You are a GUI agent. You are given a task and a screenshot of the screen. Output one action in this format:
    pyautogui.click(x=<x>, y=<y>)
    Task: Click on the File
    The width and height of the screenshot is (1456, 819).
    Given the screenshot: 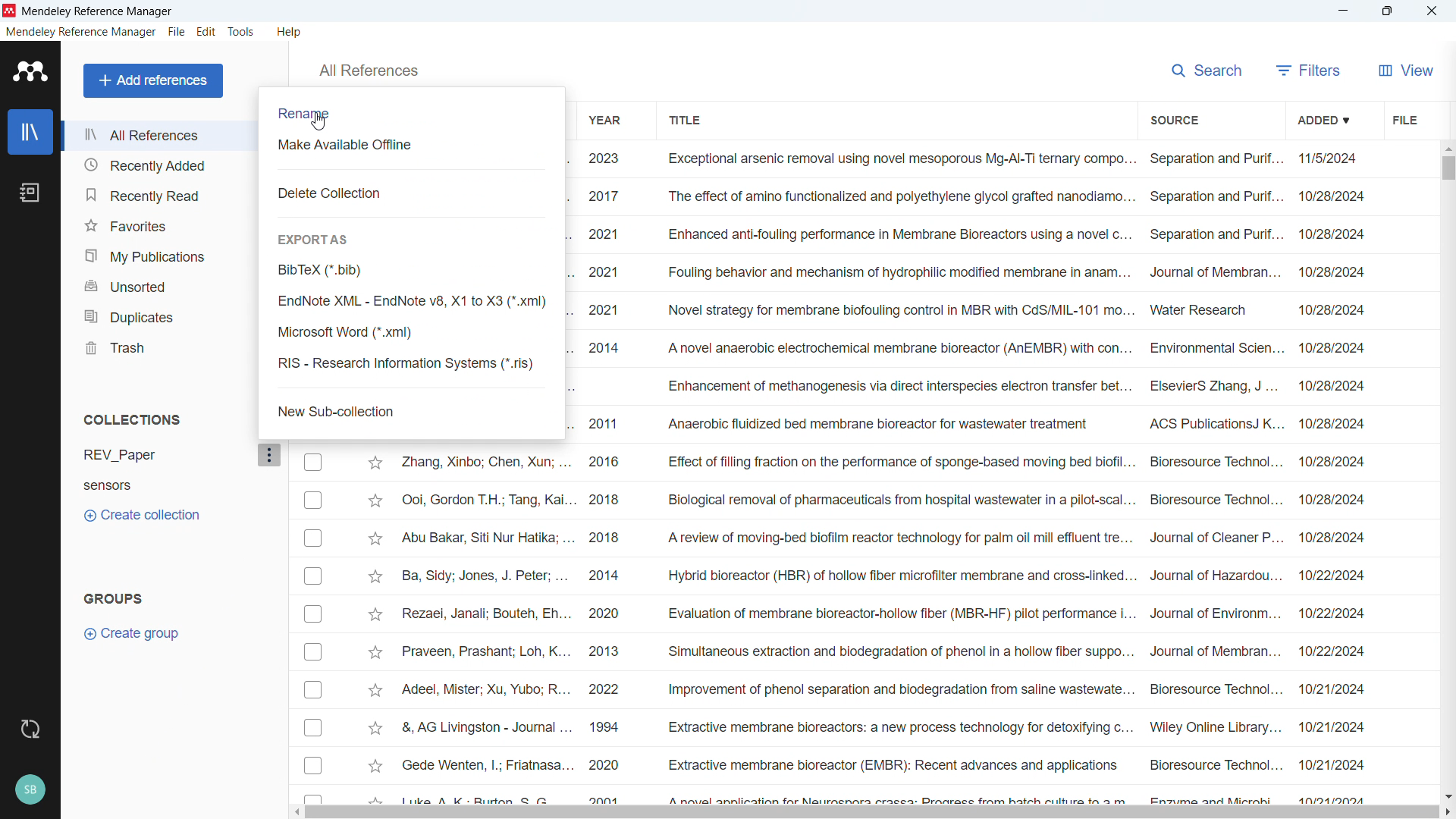 What is the action you would take?
    pyautogui.click(x=1404, y=118)
    